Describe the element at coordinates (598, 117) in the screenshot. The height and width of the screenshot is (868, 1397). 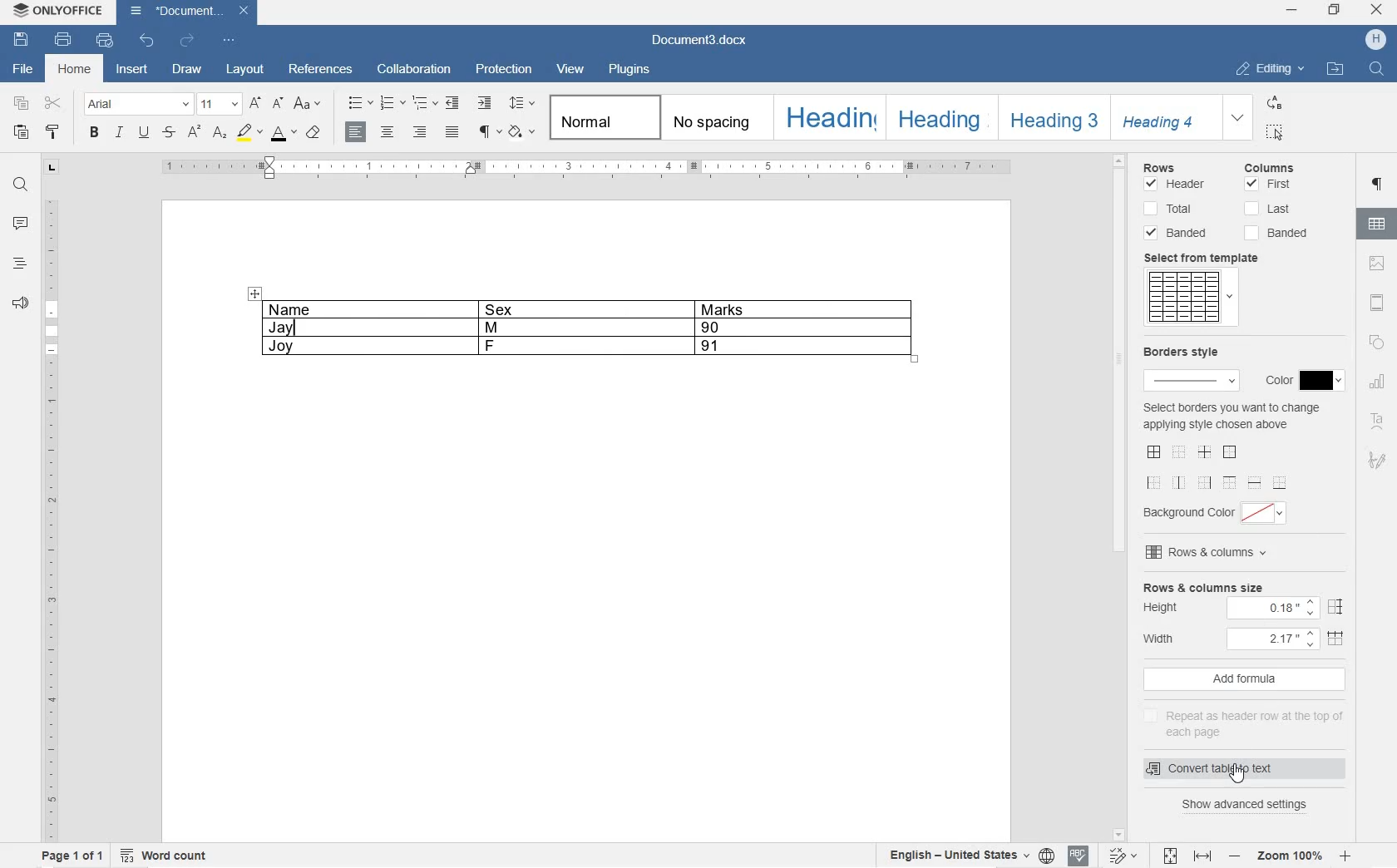
I see `NORMAL` at that location.